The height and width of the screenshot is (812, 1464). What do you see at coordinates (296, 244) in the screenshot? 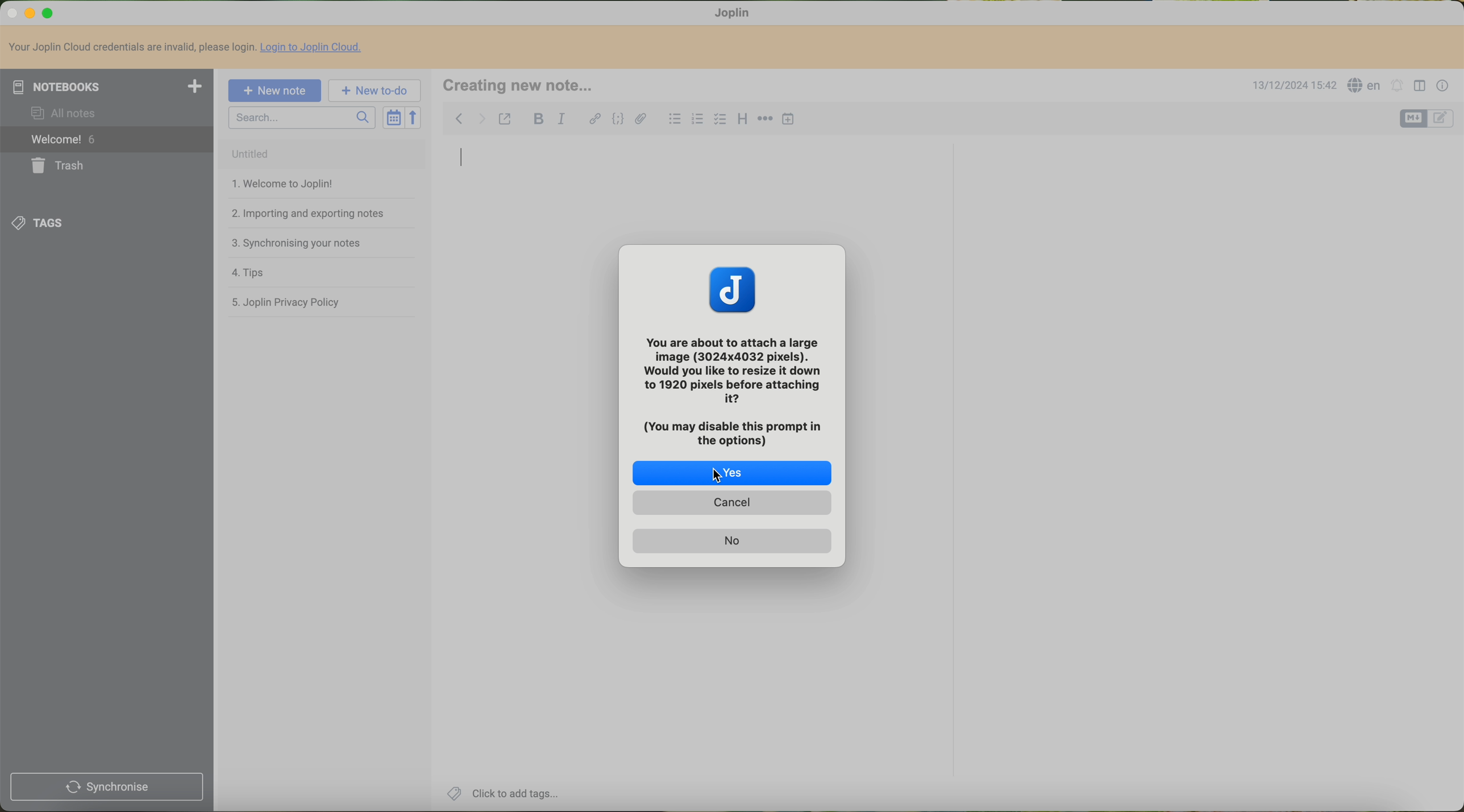
I see `synchronising your notes` at bounding box center [296, 244].